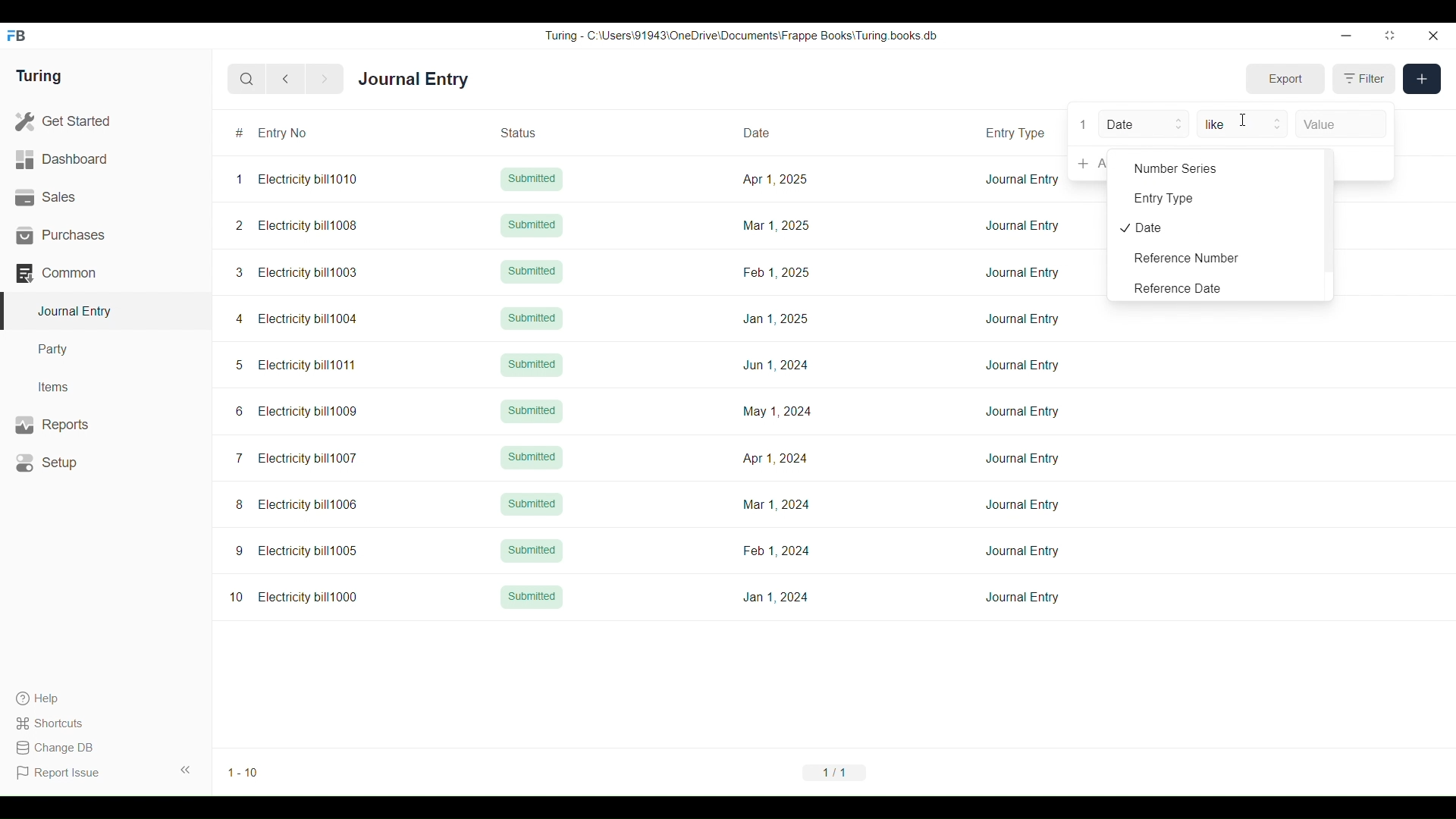 The image size is (1456, 819). I want to click on Apr 1, 2024, so click(774, 458).